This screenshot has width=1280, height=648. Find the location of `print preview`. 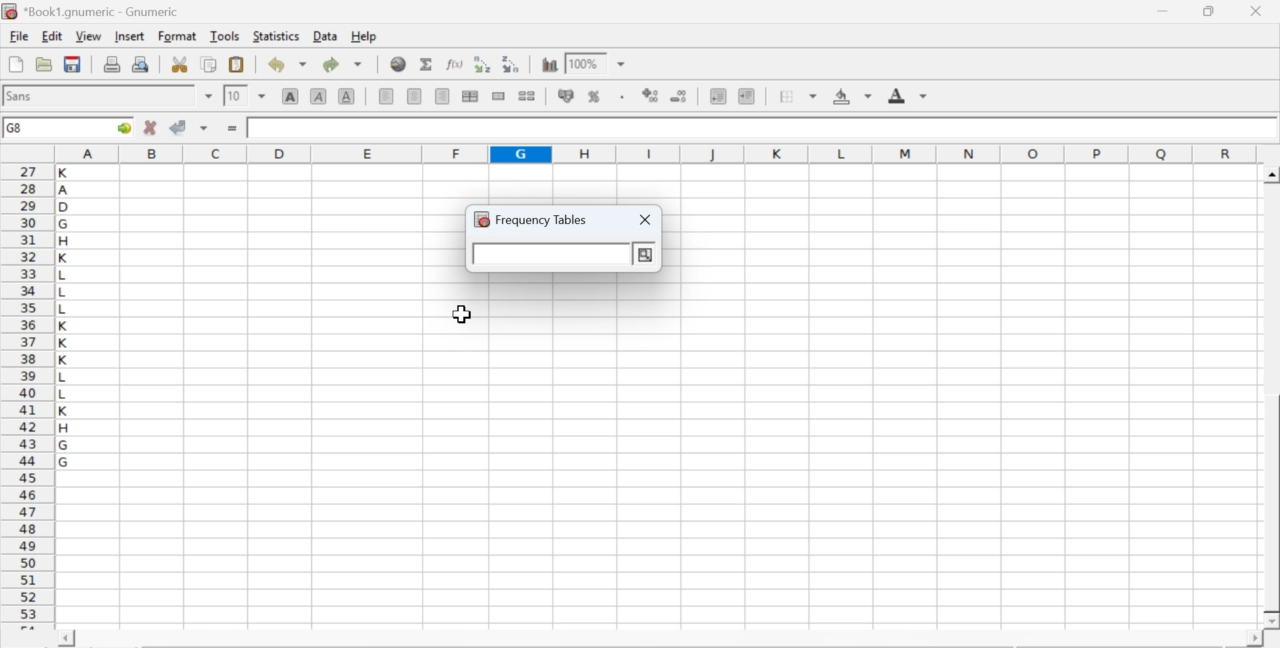

print preview is located at coordinates (141, 63).